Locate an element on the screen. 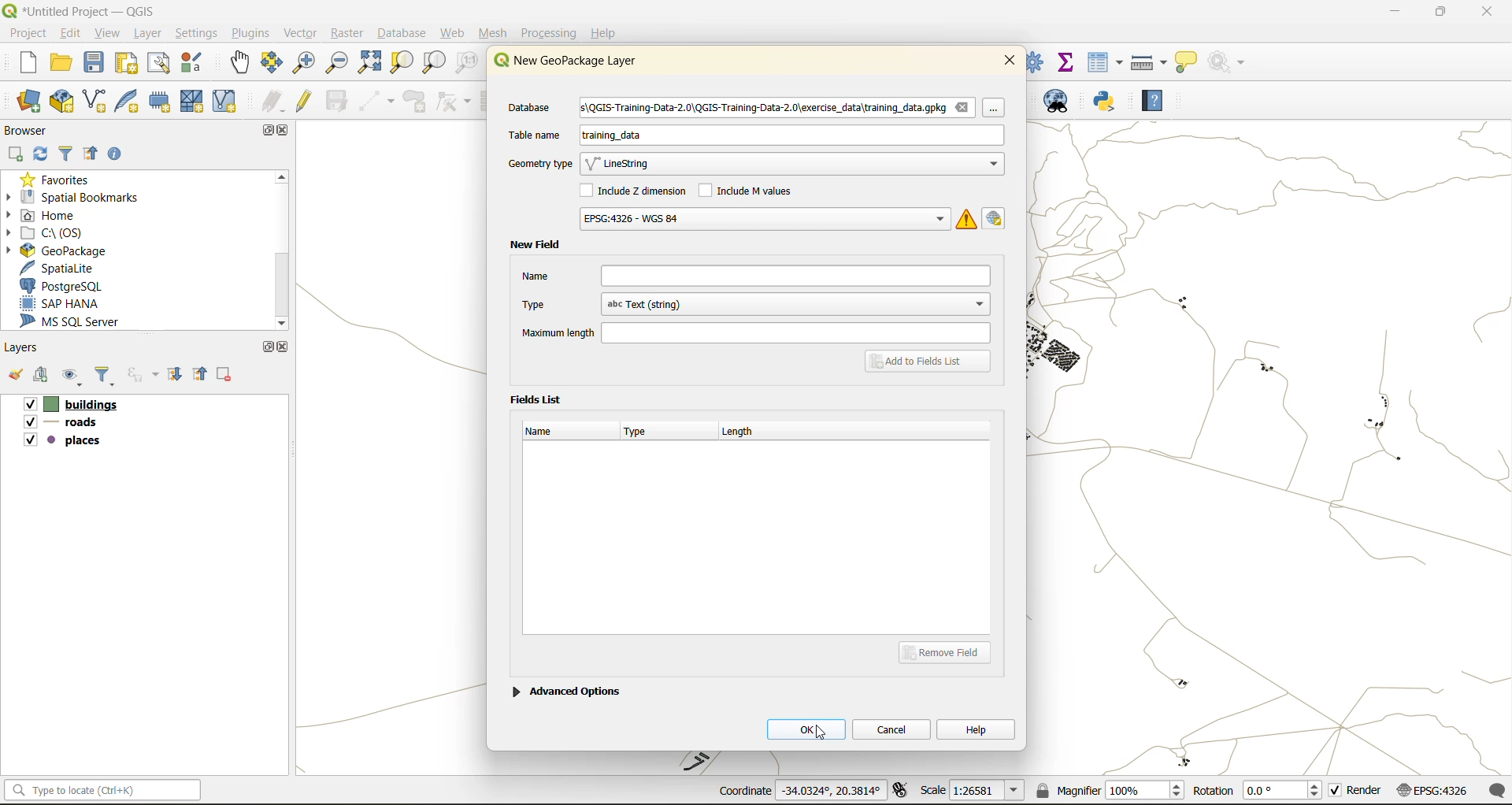 The image size is (1512, 805). cancel is located at coordinates (893, 728).